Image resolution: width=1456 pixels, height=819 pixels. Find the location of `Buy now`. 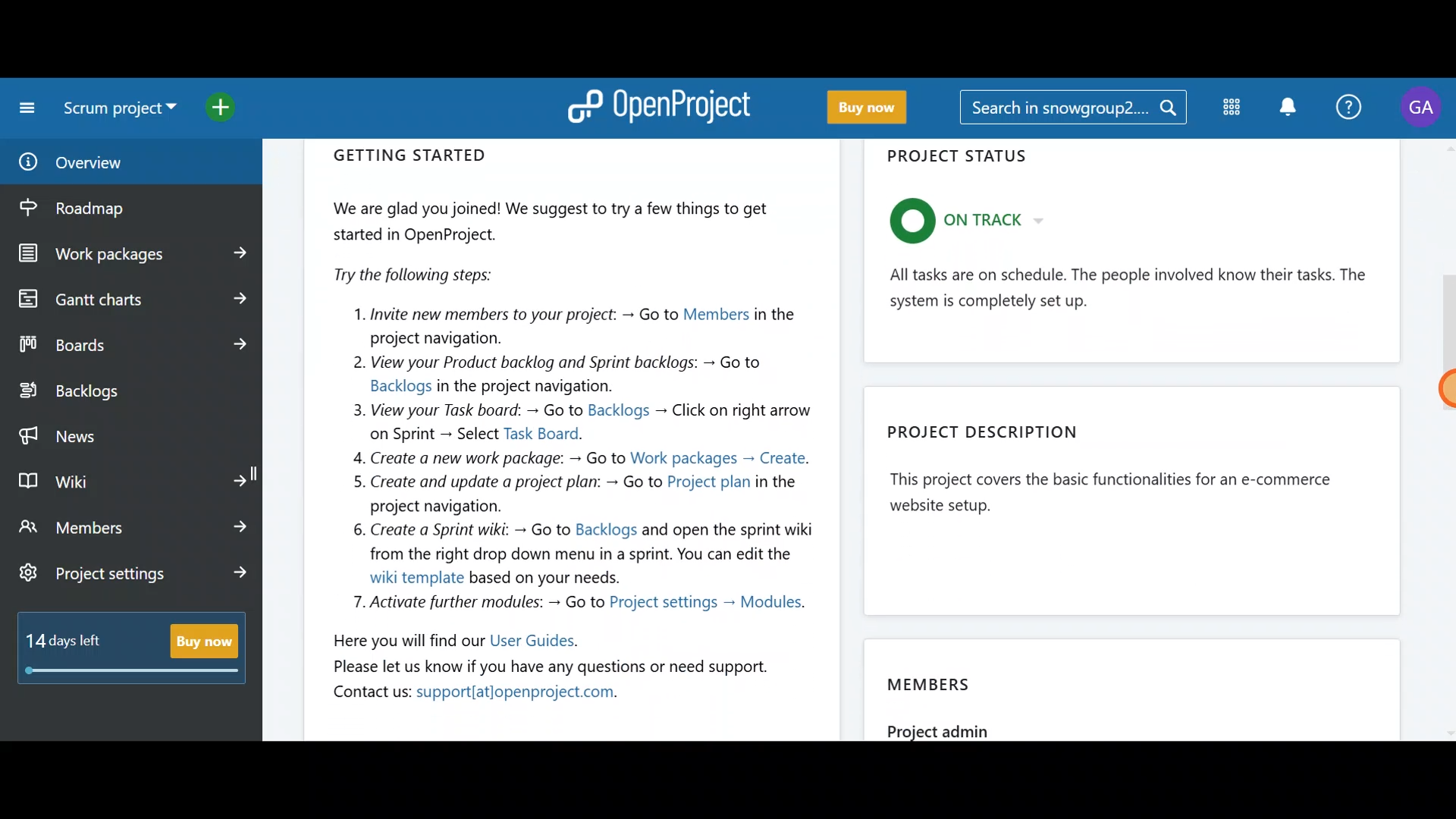

Buy now is located at coordinates (877, 108).